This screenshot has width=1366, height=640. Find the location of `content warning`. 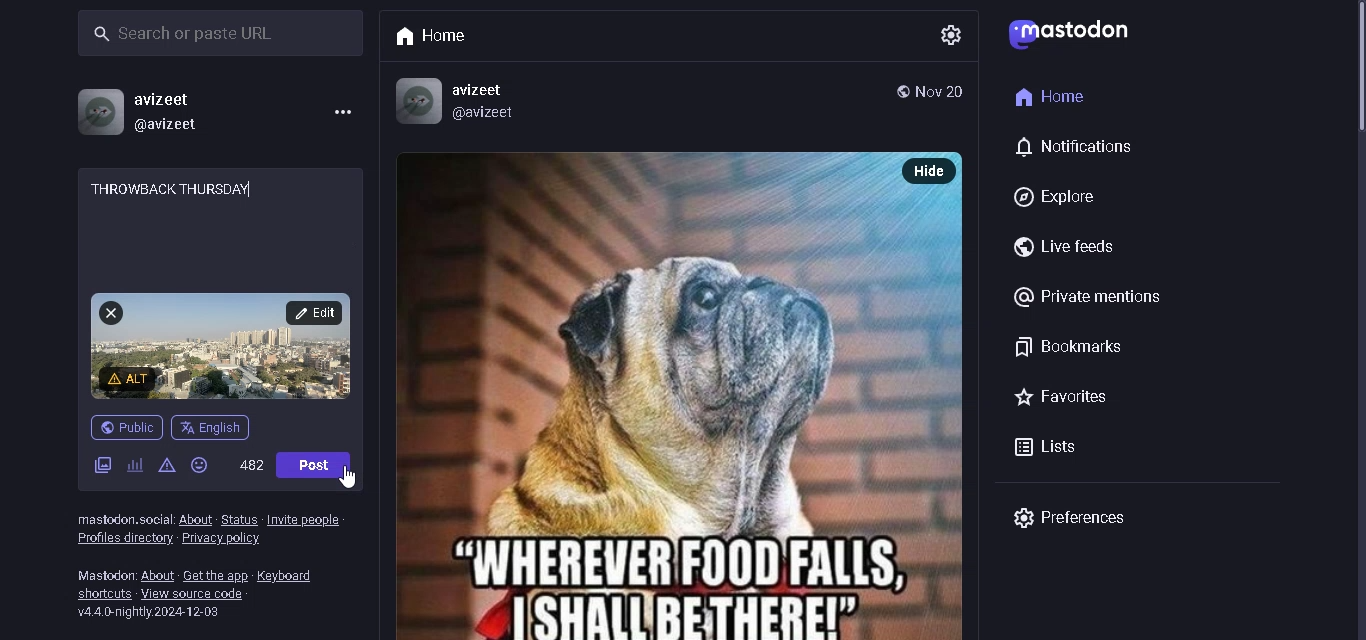

content warning is located at coordinates (167, 472).